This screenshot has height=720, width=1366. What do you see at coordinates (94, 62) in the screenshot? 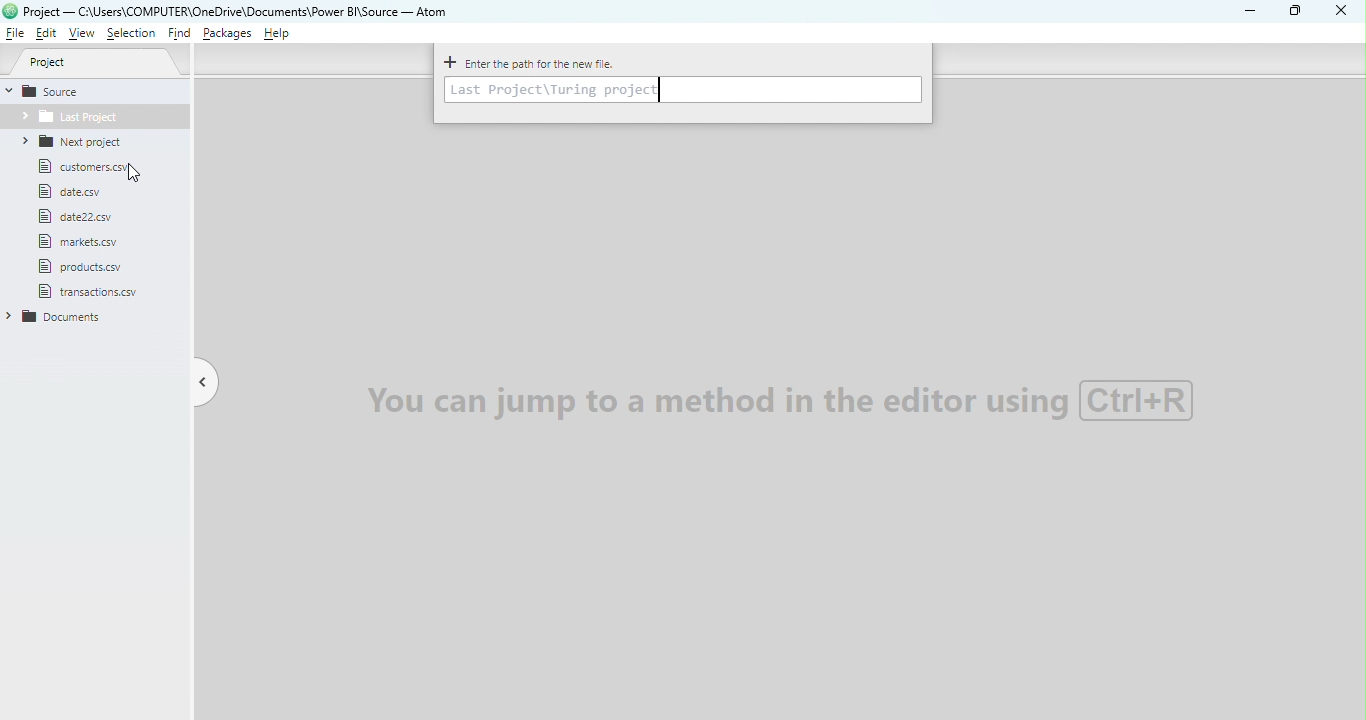
I see `Project` at bounding box center [94, 62].